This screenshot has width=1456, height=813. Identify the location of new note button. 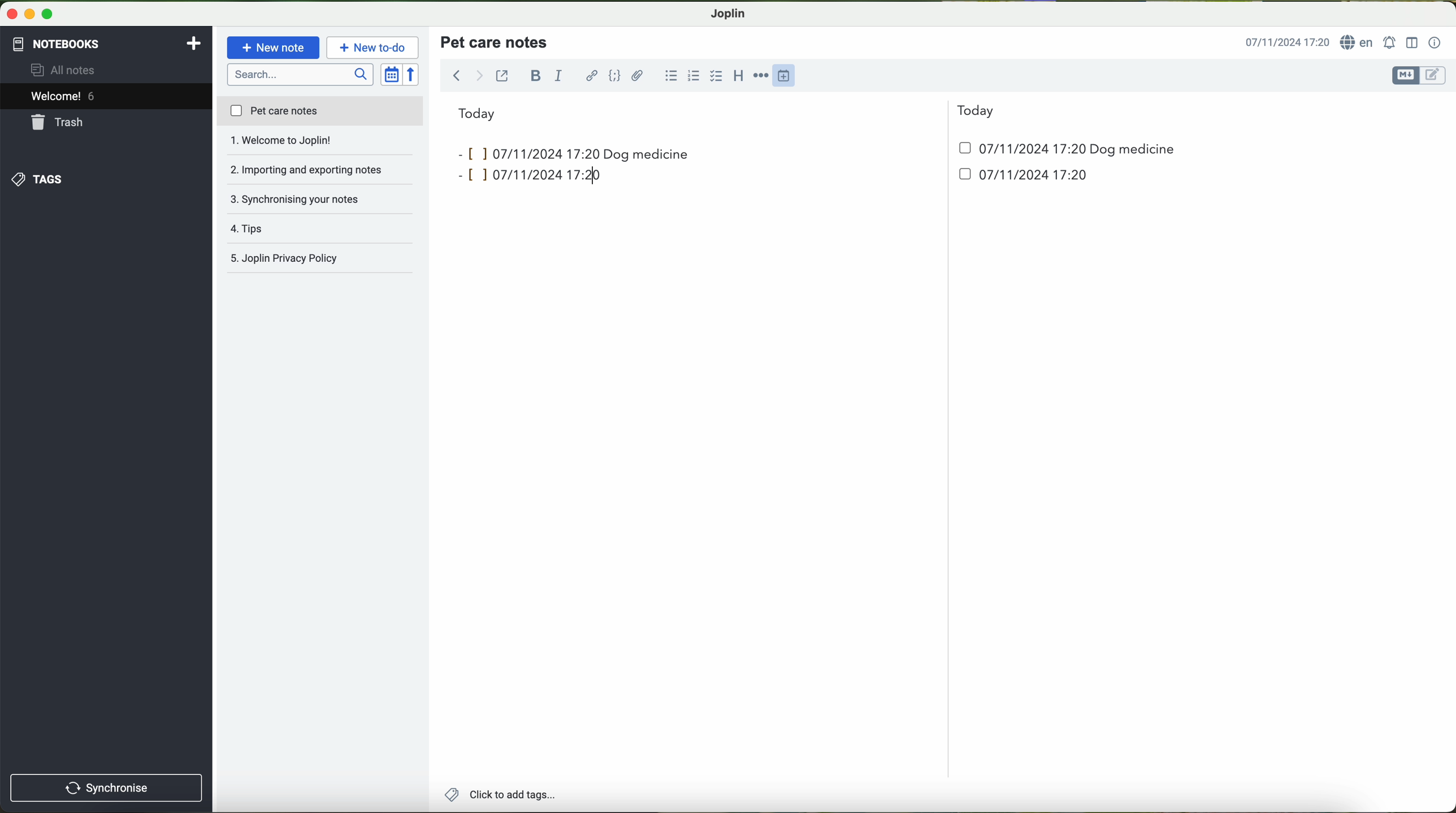
(274, 47).